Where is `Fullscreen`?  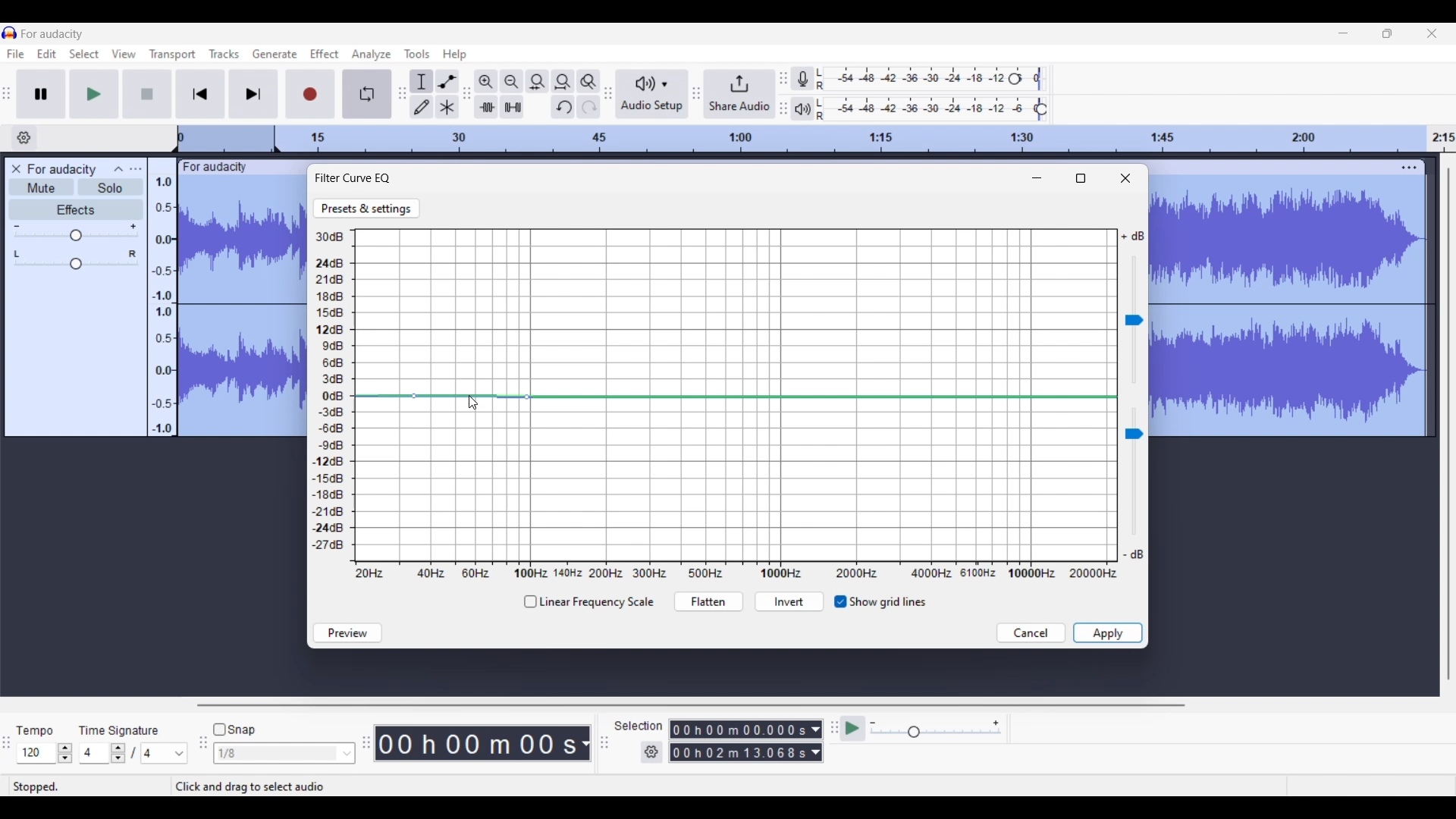
Fullscreen is located at coordinates (1081, 178).